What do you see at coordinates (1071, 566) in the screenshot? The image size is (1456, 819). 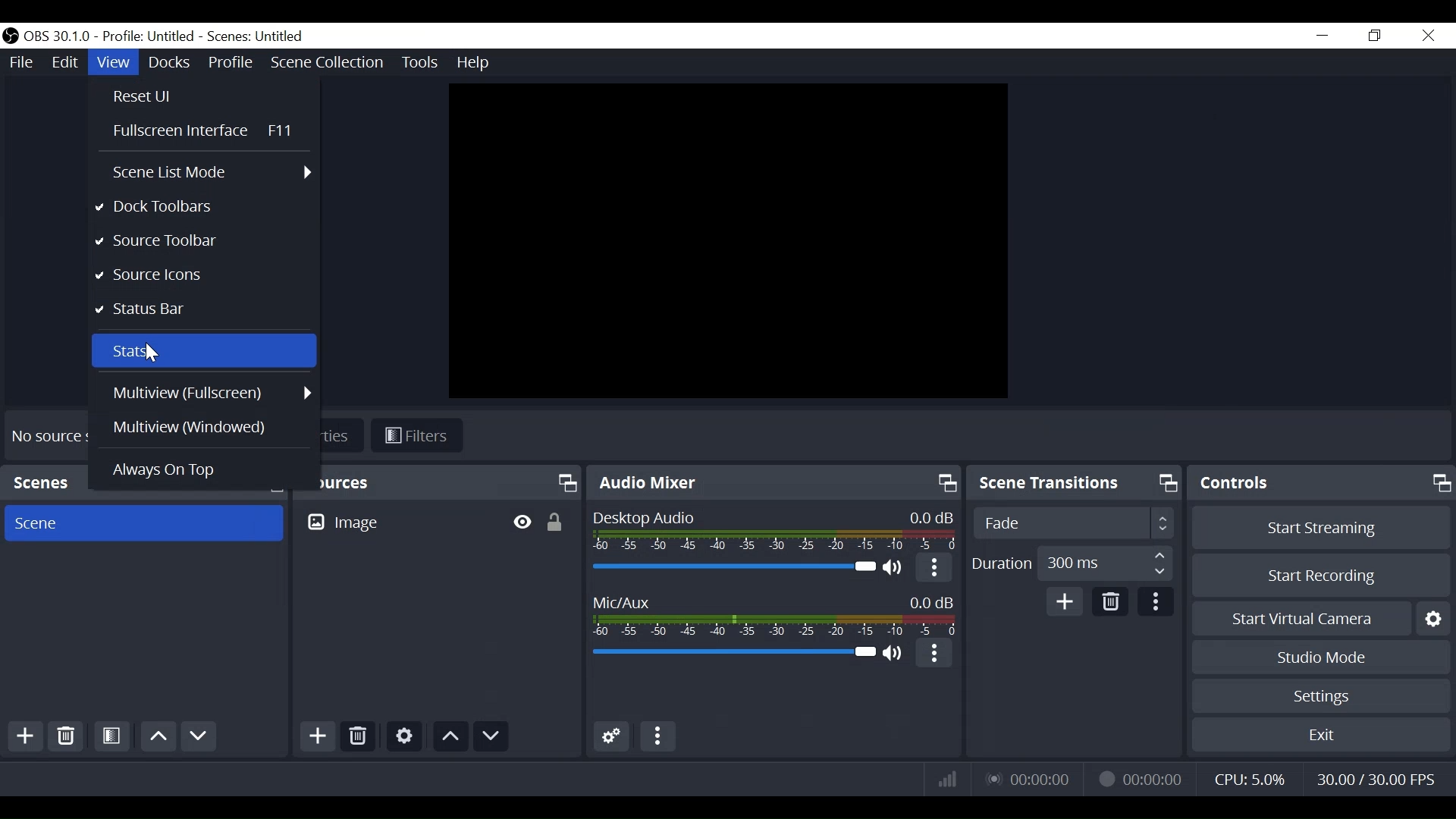 I see `Duration` at bounding box center [1071, 566].